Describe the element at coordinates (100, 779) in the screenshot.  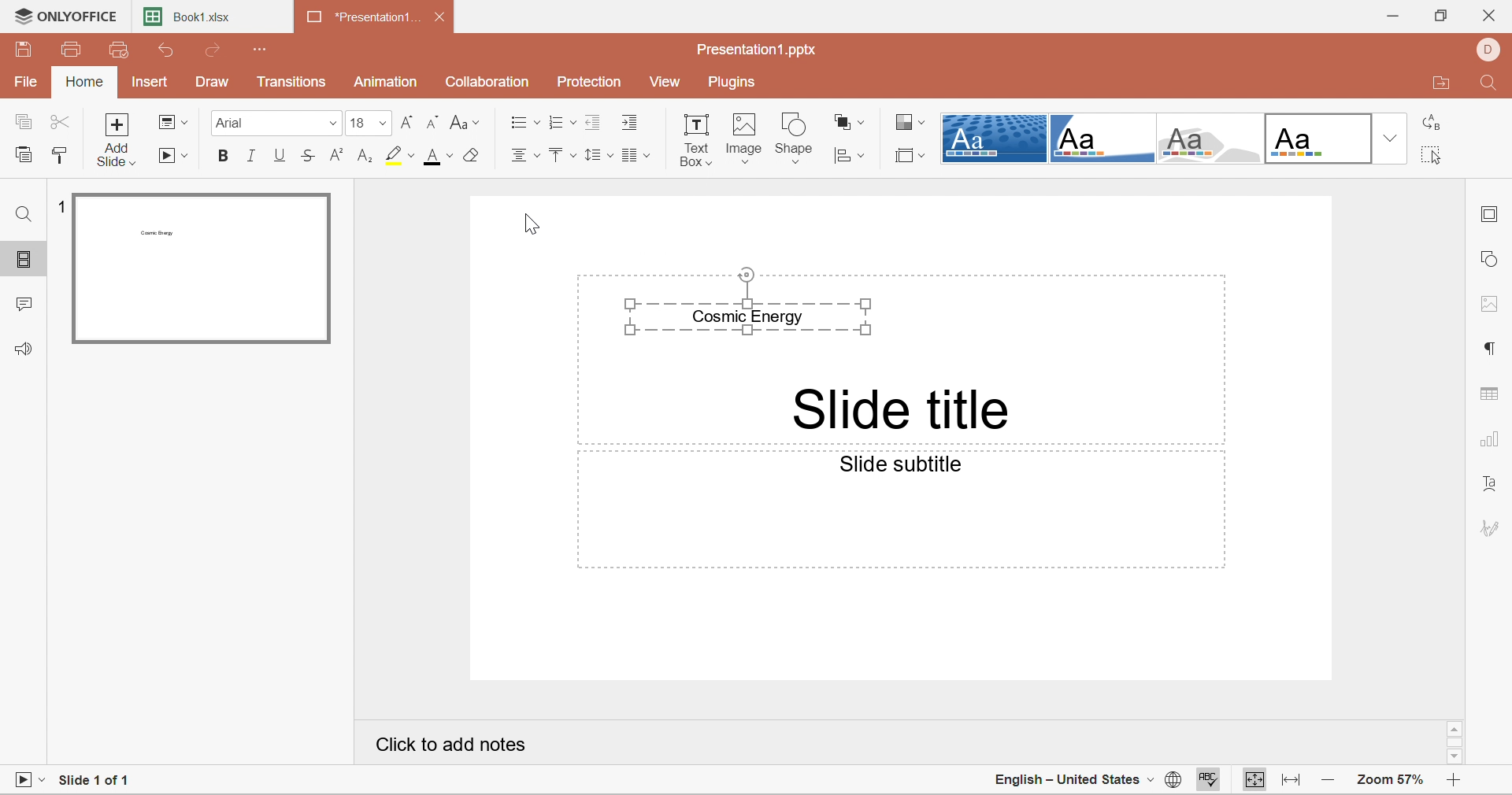
I see `Slide 1 of 1` at that location.